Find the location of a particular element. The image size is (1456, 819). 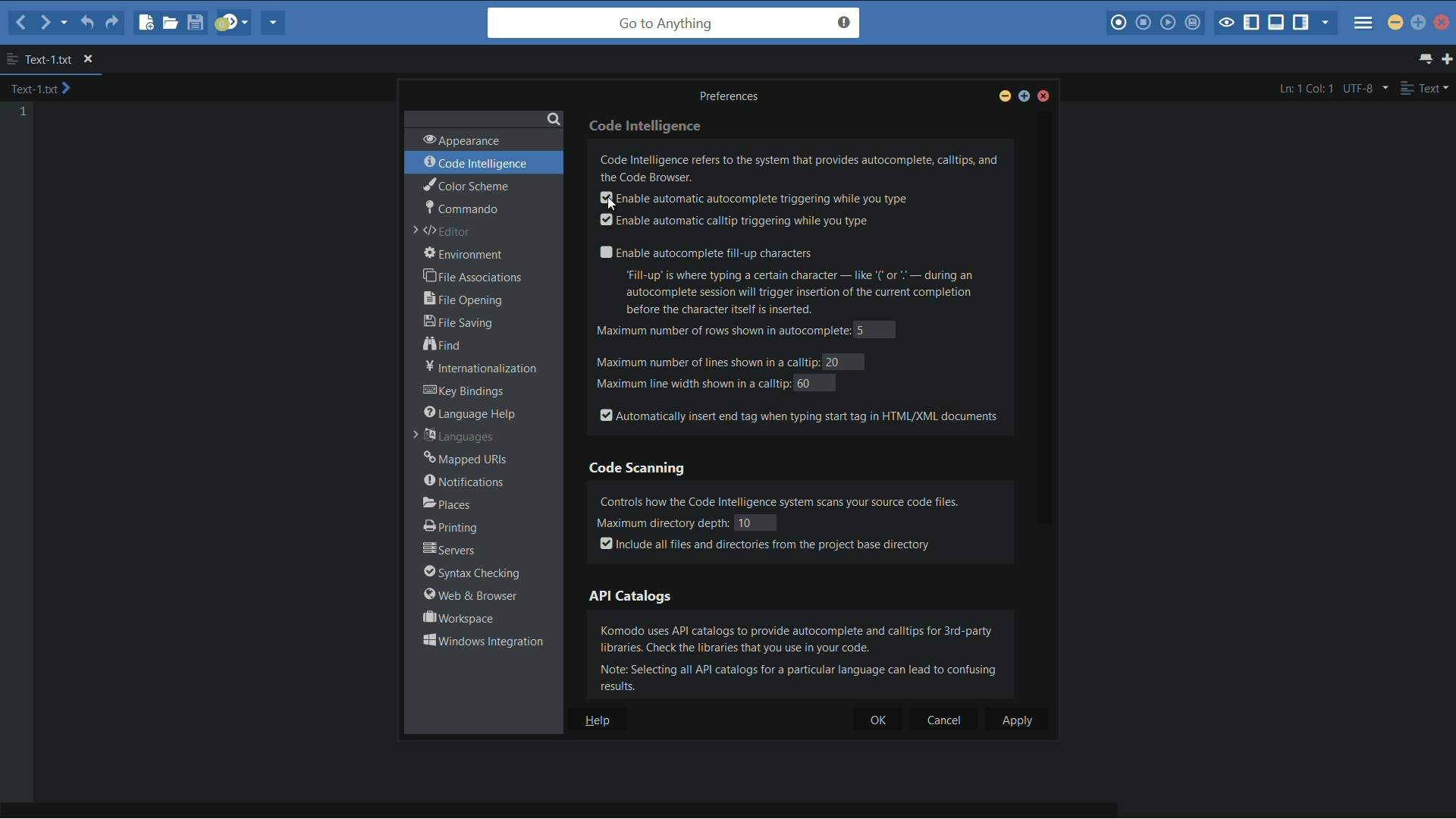

code intelligence is located at coordinates (477, 163).